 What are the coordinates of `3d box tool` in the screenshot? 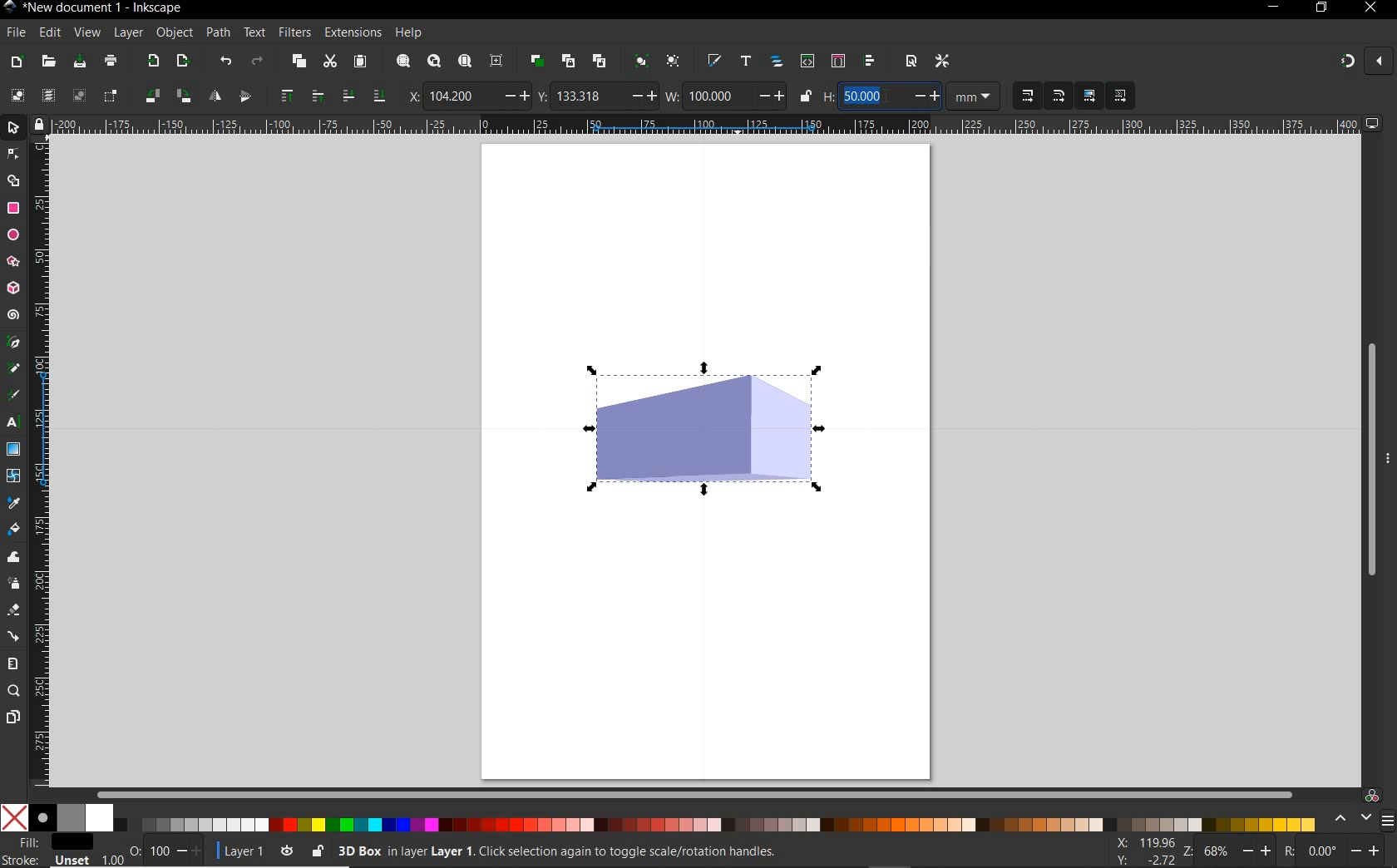 It's located at (12, 289).